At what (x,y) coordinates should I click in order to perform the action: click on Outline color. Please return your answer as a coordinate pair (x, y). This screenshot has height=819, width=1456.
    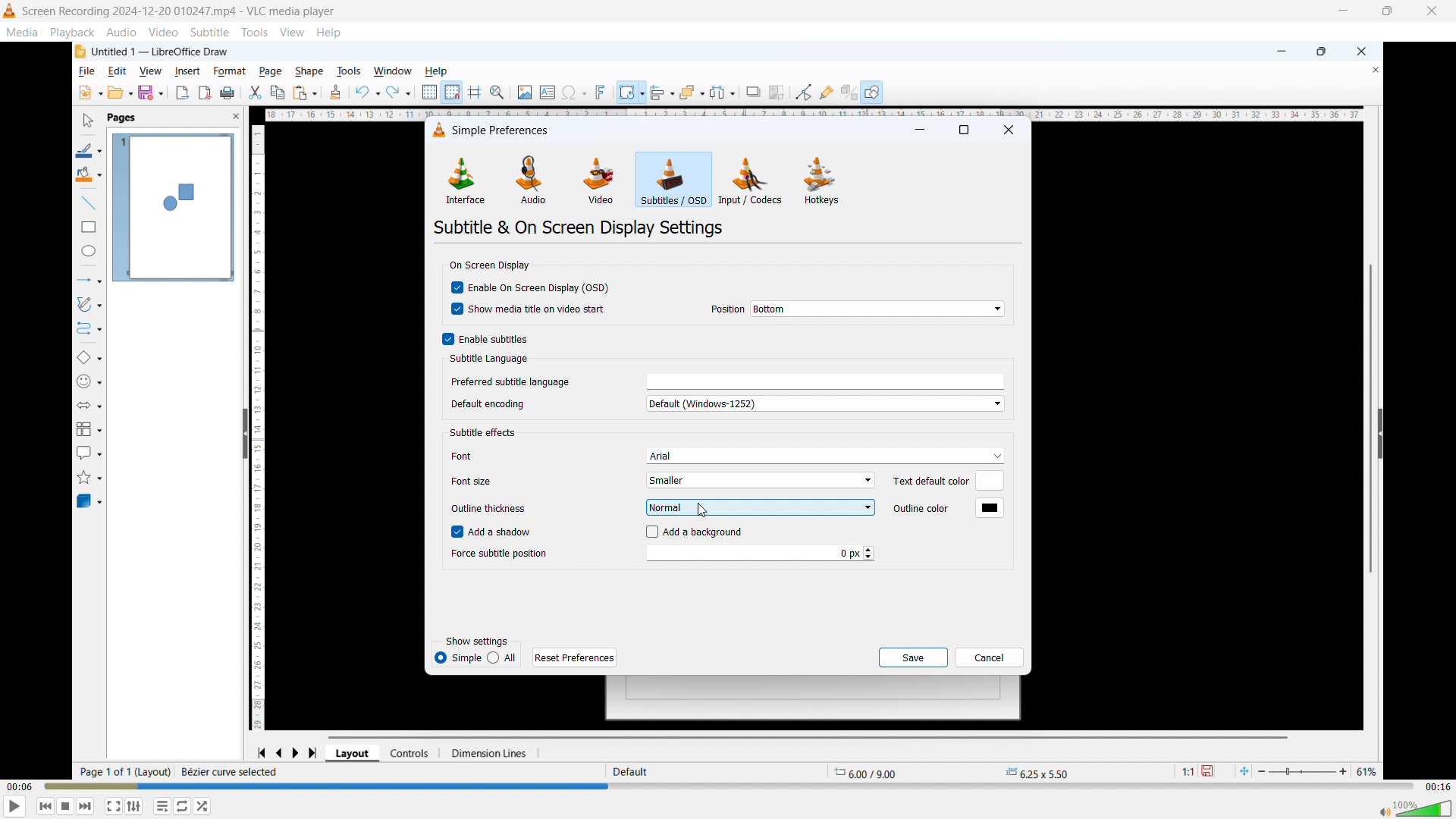
    Looking at the image, I should click on (921, 508).